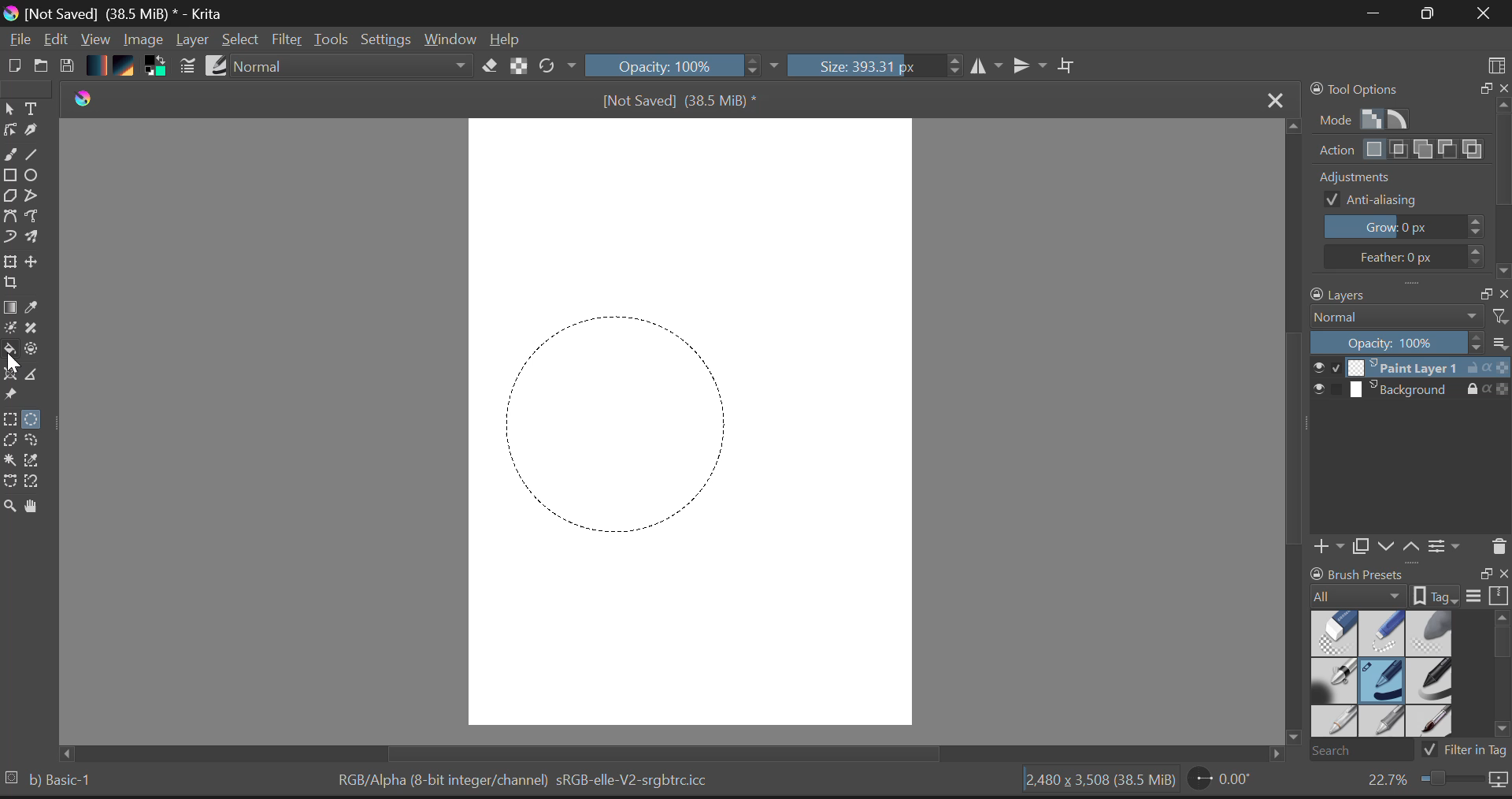 This screenshot has height=799, width=1512. I want to click on Edit shapes, so click(9, 132).